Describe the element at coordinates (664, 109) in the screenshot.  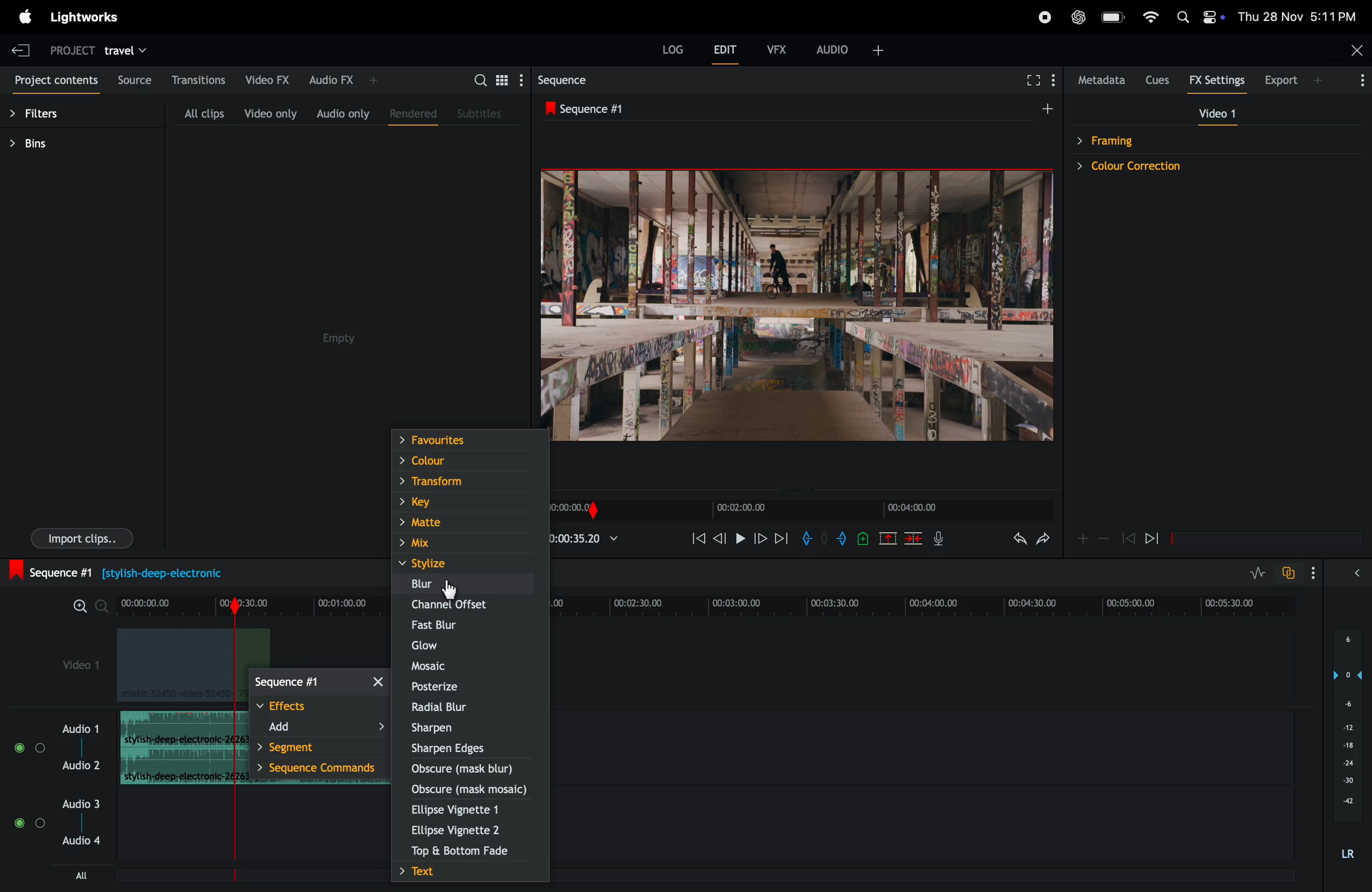
I see `sequence 1` at that location.